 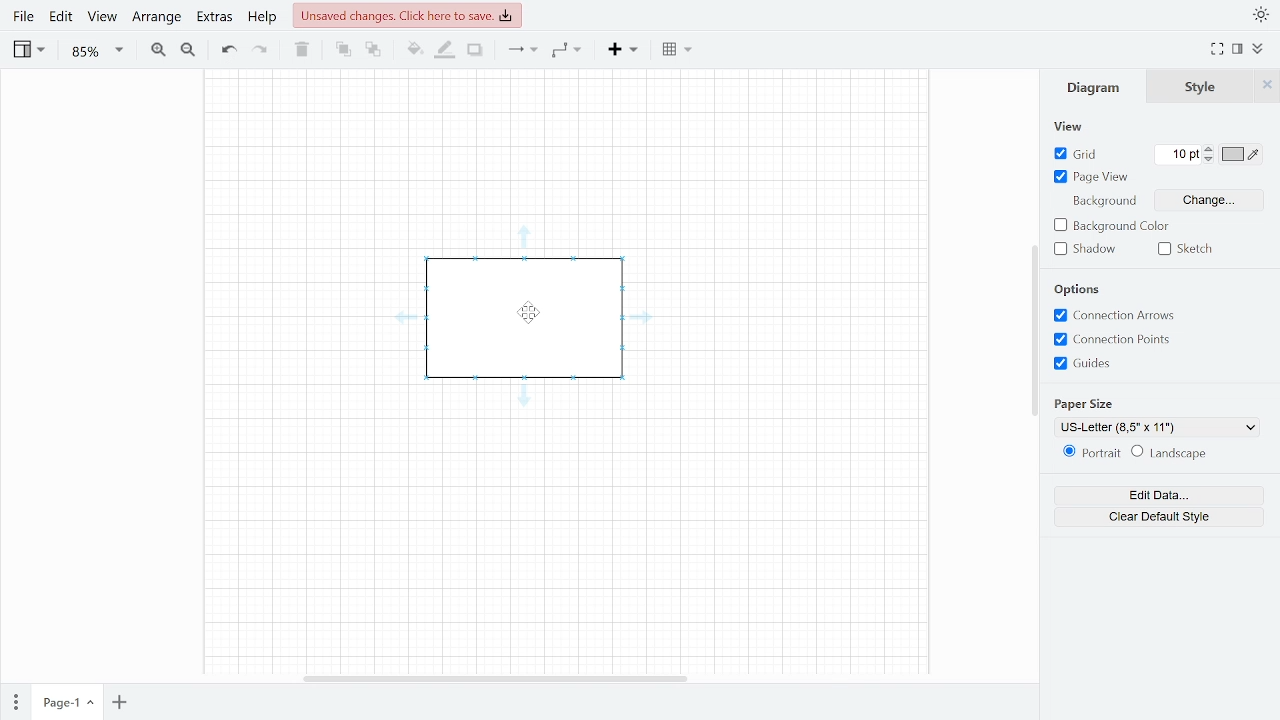 I want to click on Options, so click(x=1079, y=289).